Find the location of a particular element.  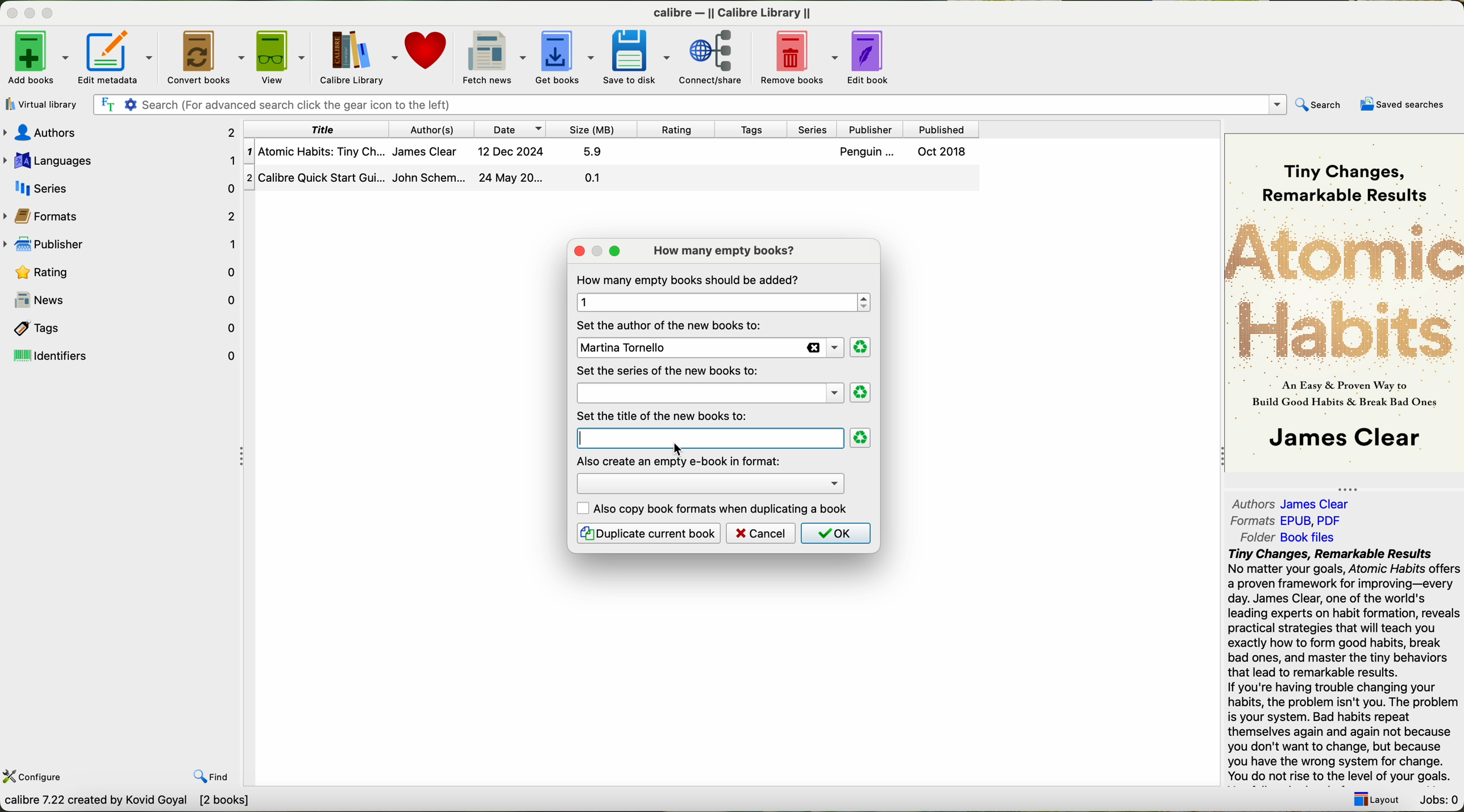

close program is located at coordinates (9, 9).